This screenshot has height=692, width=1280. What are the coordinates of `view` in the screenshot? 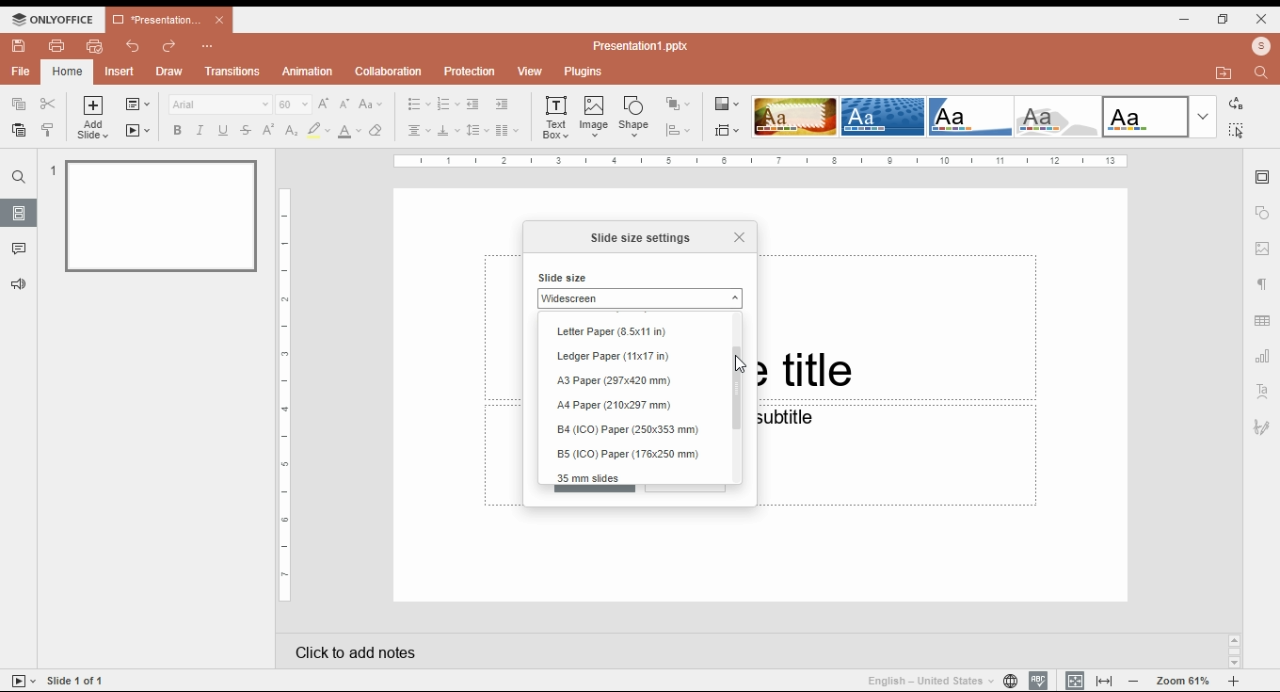 It's located at (529, 72).